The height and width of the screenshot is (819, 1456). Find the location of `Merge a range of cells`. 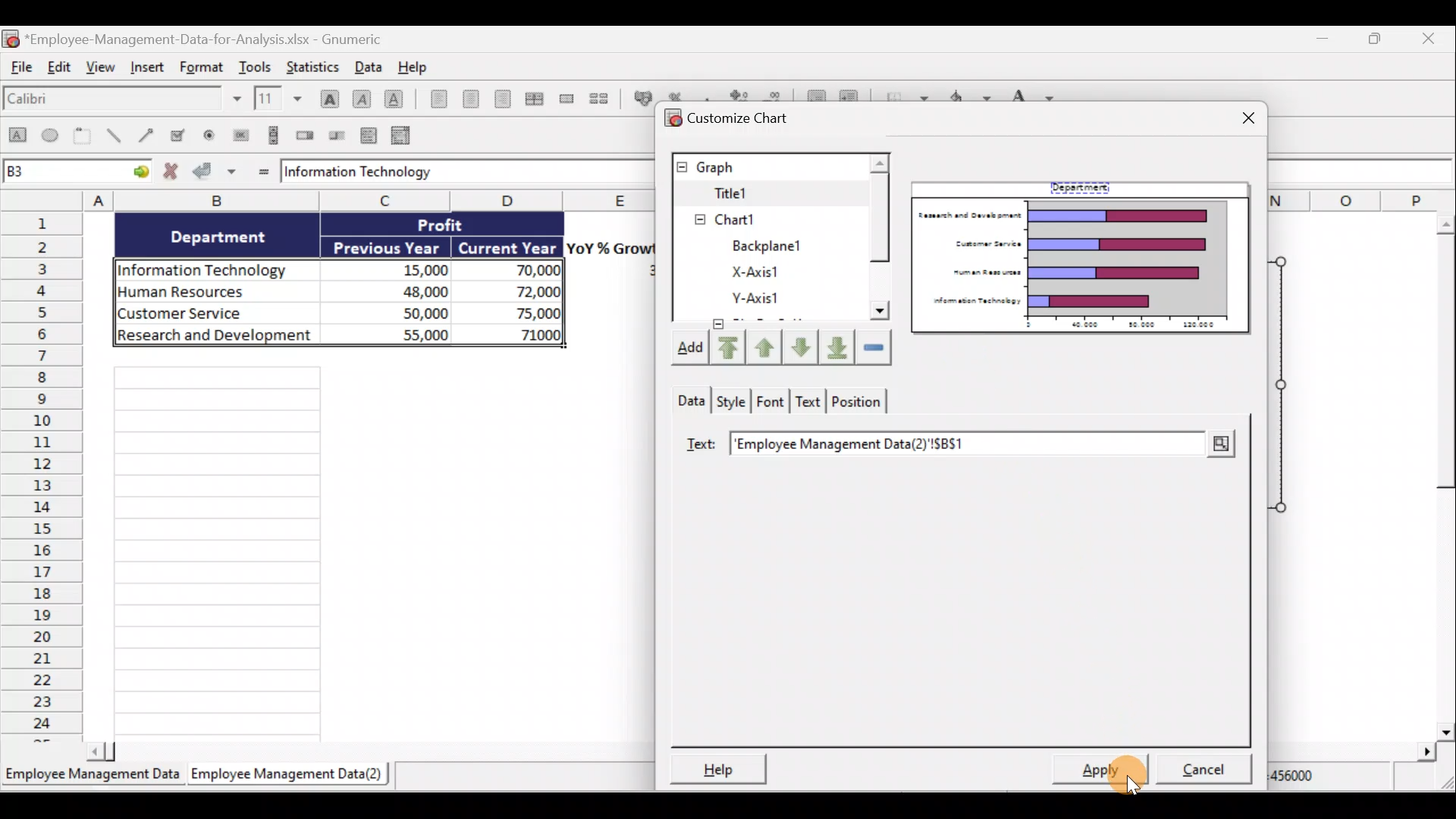

Merge a range of cells is located at coordinates (566, 99).